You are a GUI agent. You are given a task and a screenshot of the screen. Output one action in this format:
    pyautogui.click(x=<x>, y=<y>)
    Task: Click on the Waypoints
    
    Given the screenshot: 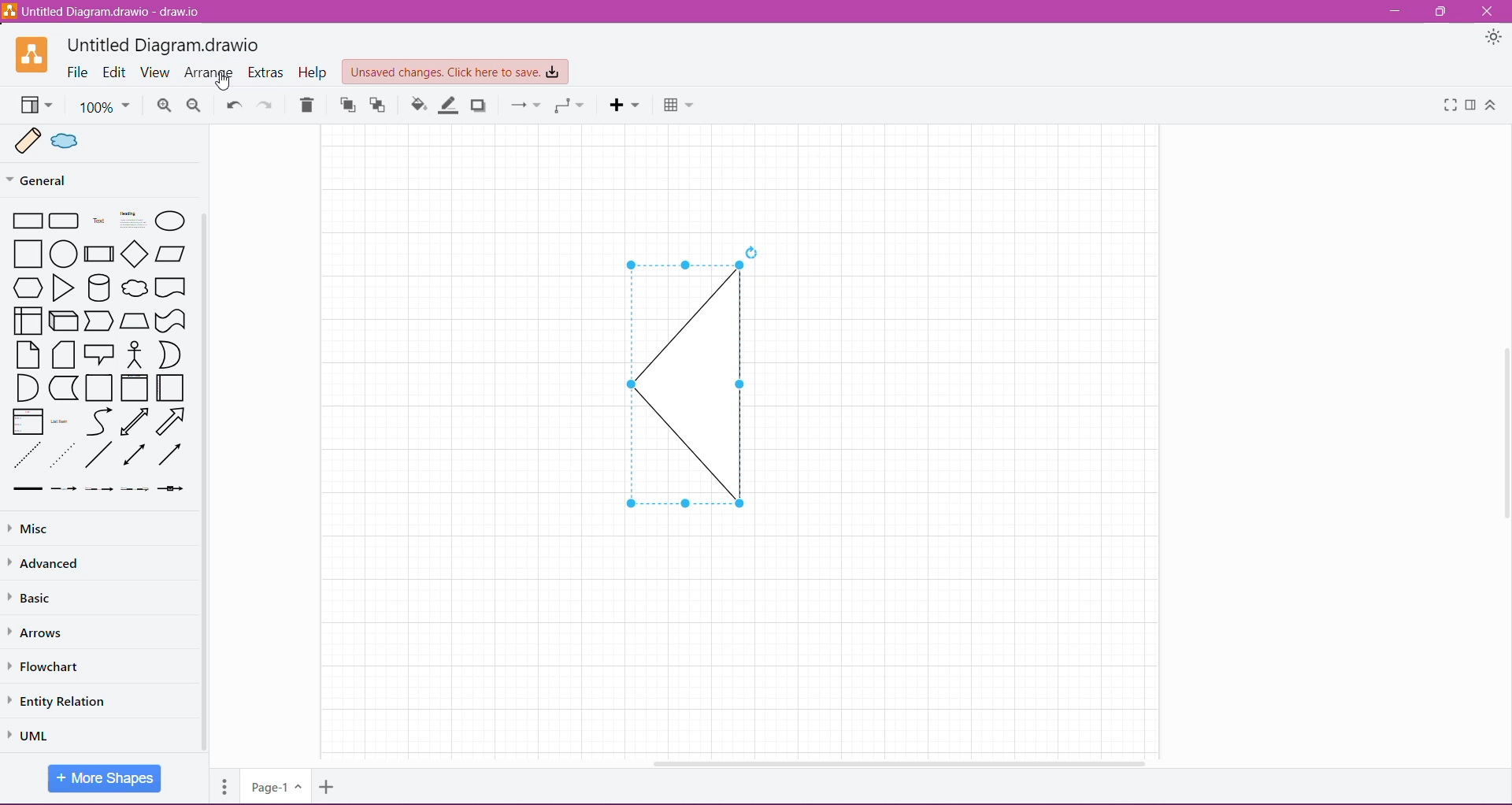 What is the action you would take?
    pyautogui.click(x=569, y=106)
    